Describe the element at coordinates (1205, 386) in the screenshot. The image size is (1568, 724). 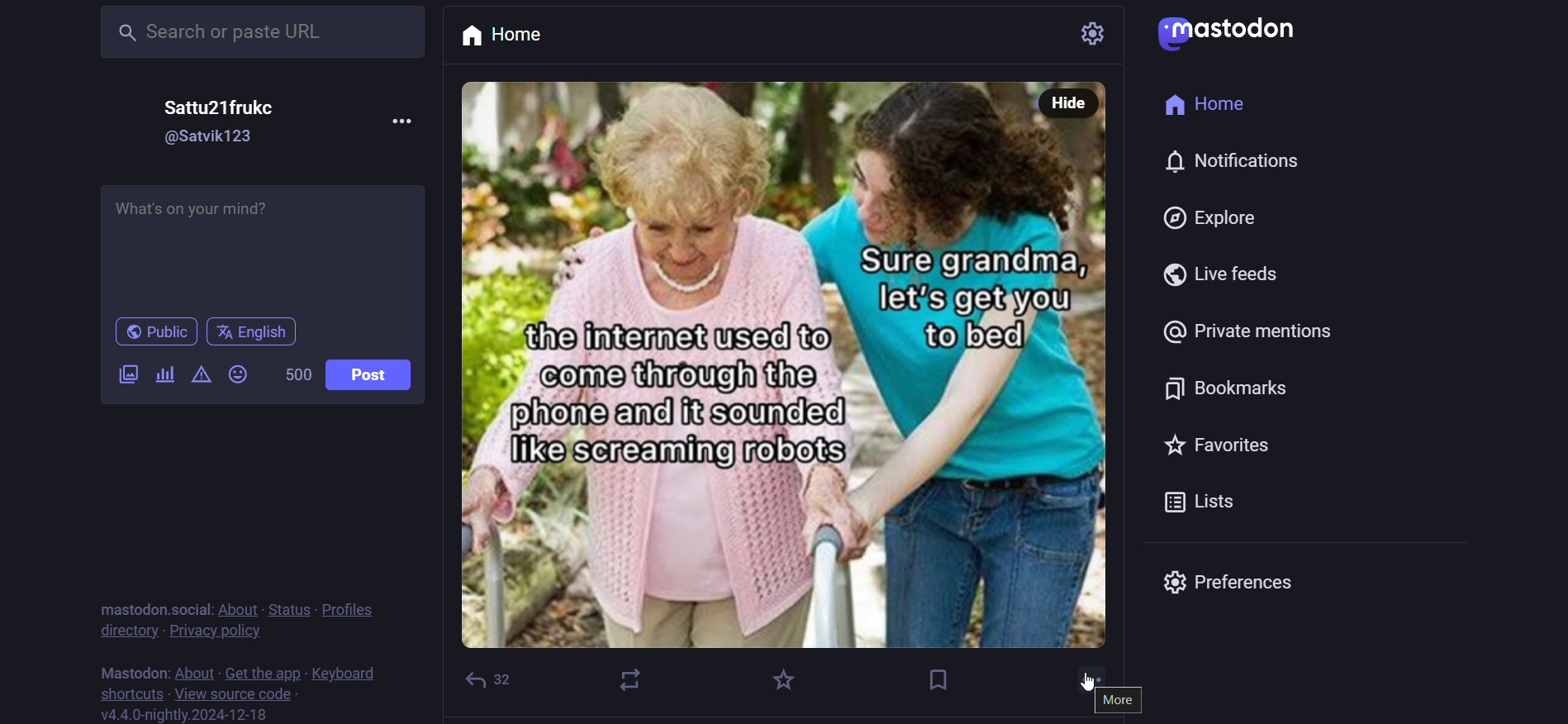
I see `bookmark` at that location.